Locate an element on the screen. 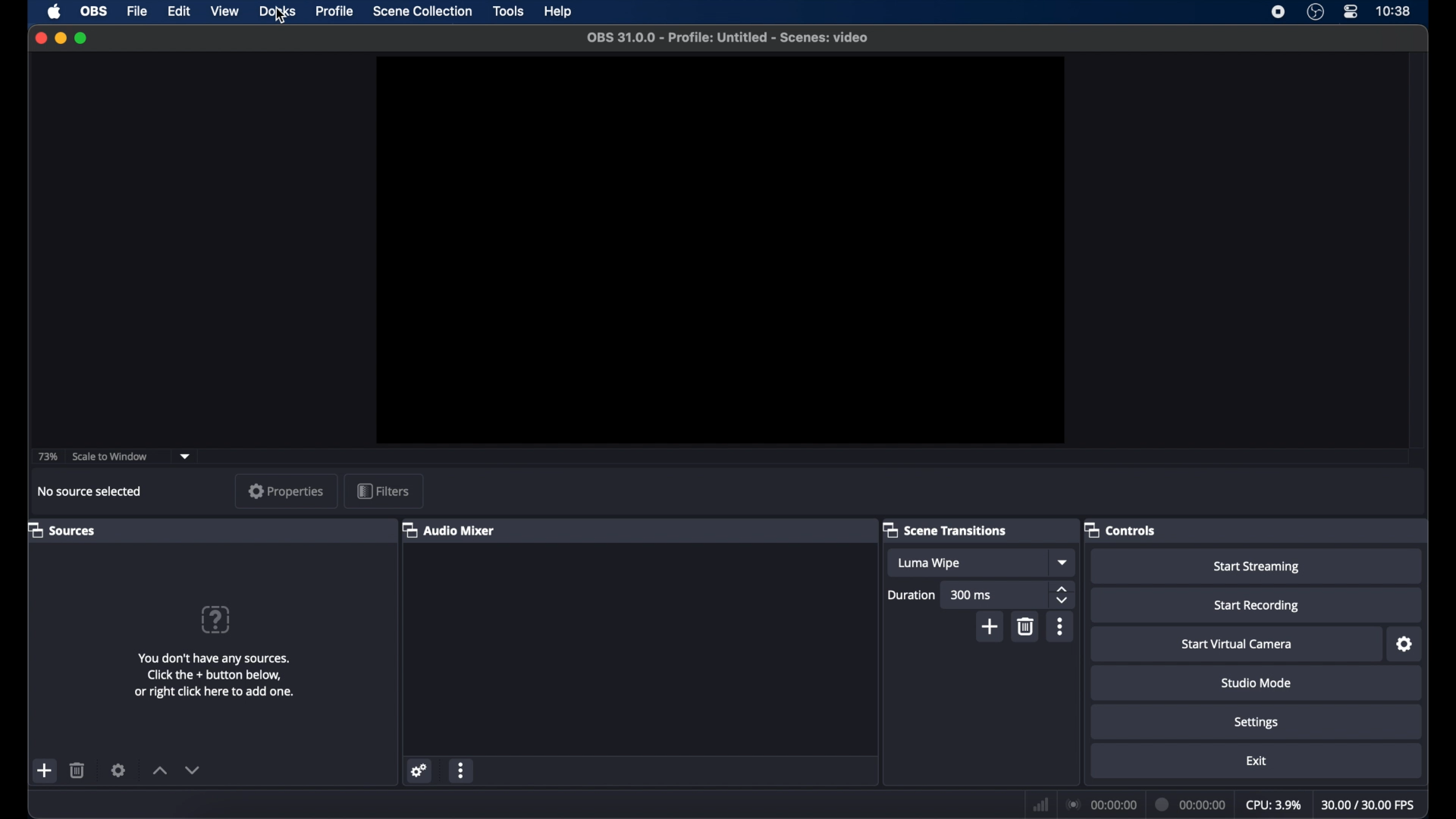 The width and height of the screenshot is (1456, 819). no source selected is located at coordinates (93, 491).